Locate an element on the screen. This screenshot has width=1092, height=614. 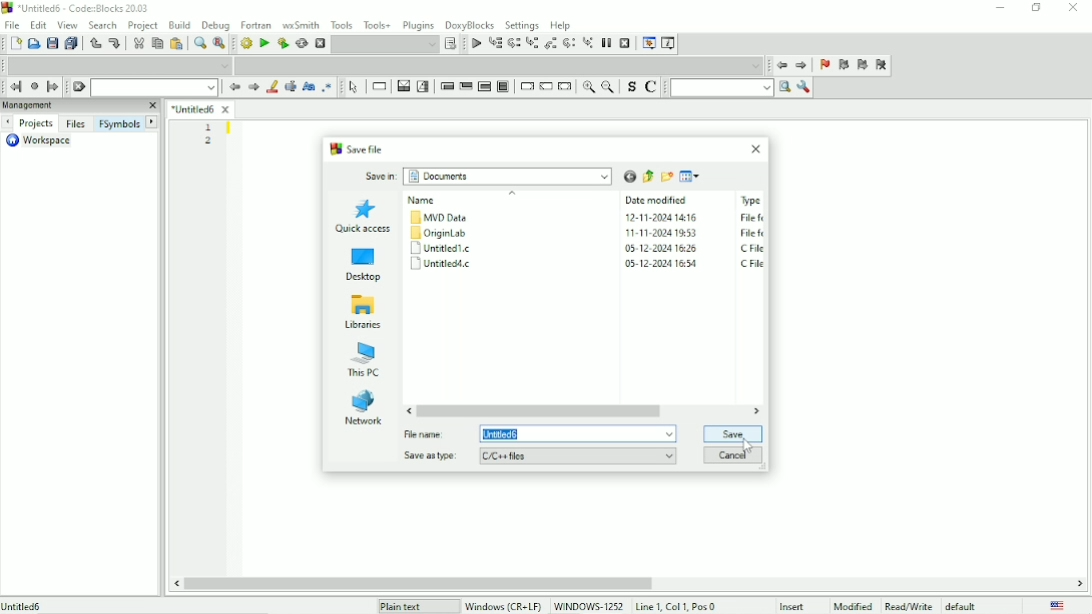
View is located at coordinates (67, 24).